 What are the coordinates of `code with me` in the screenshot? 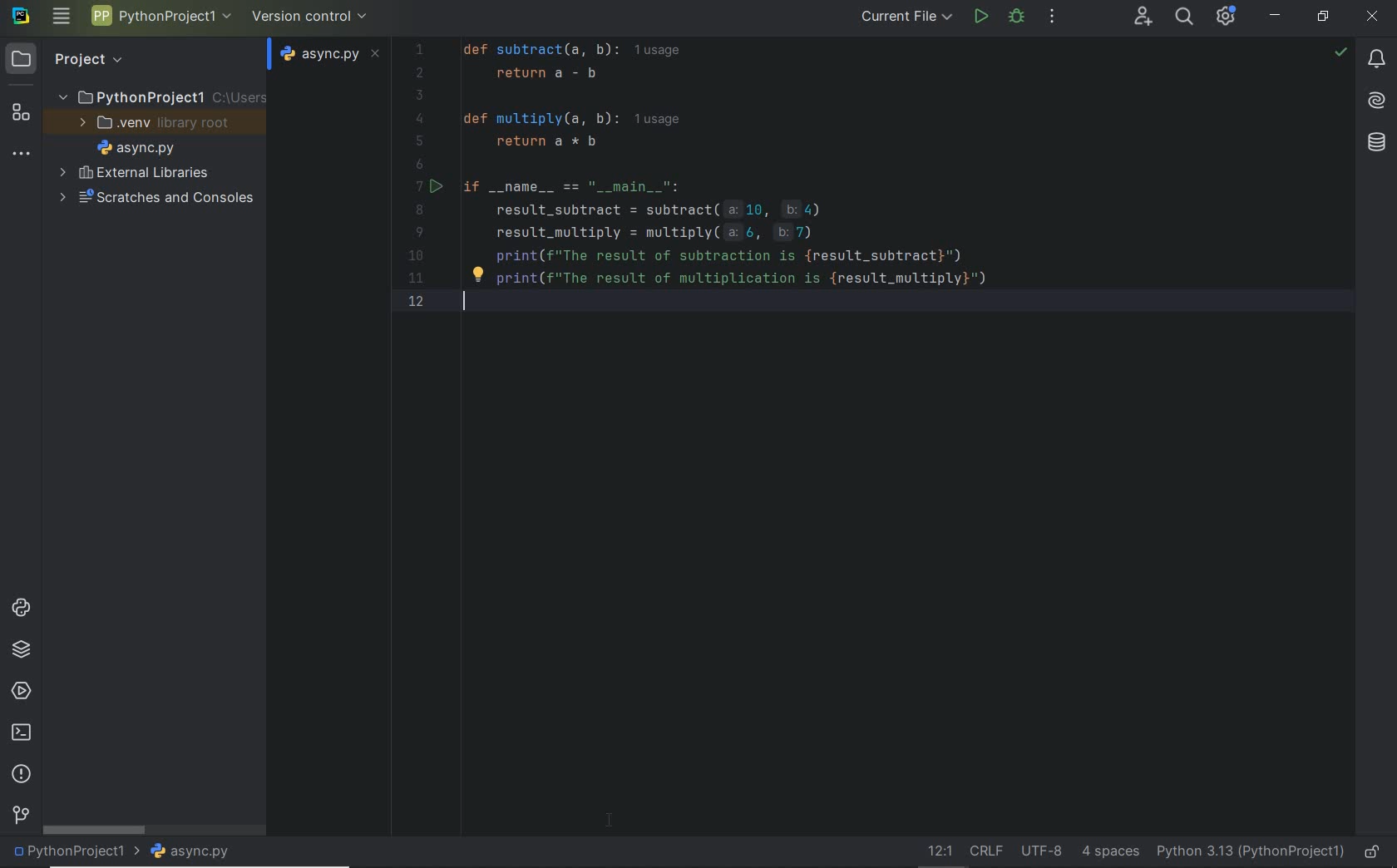 It's located at (1142, 18).